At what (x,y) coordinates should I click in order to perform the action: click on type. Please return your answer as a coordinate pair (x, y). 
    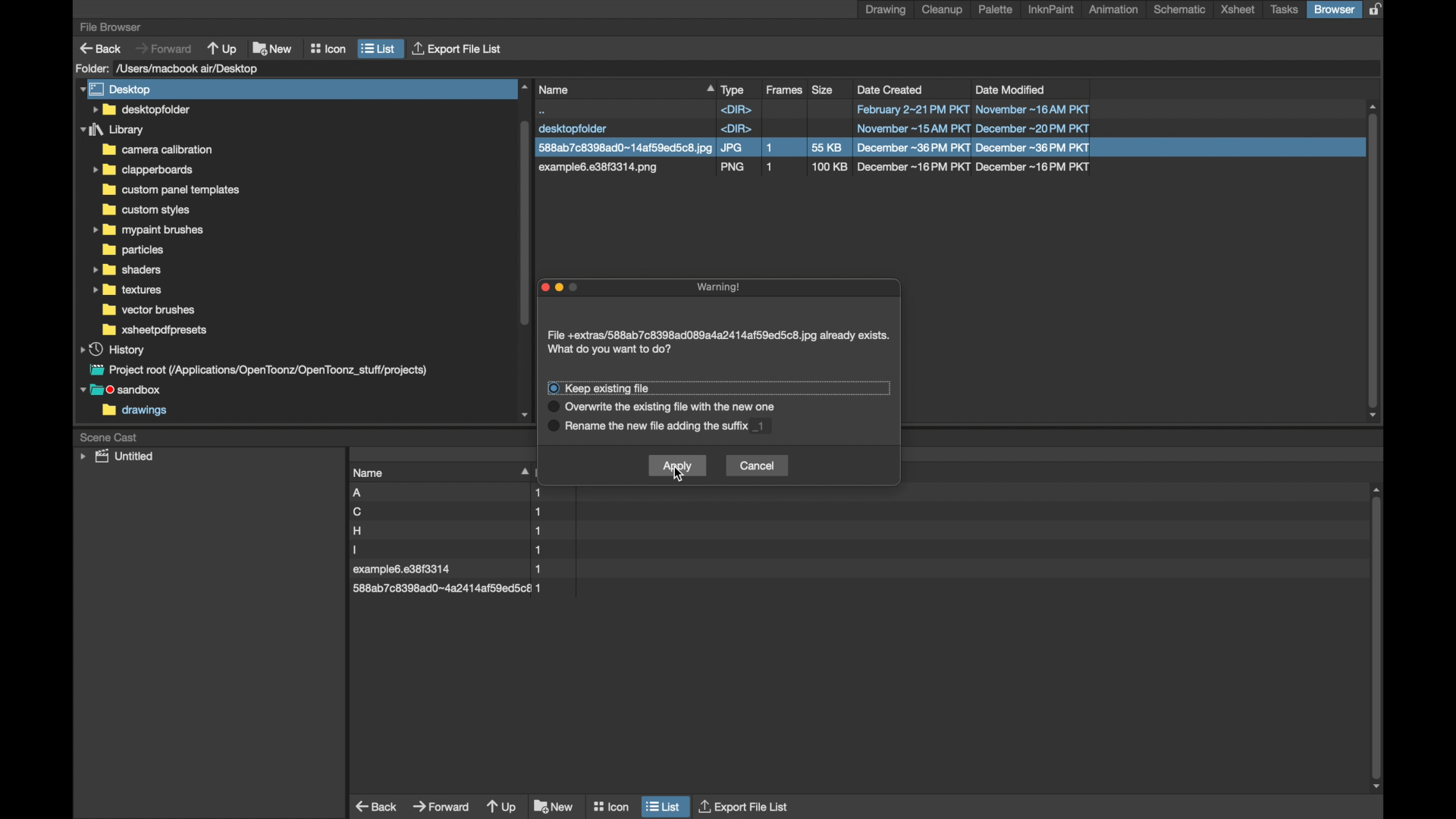
    Looking at the image, I should click on (733, 89).